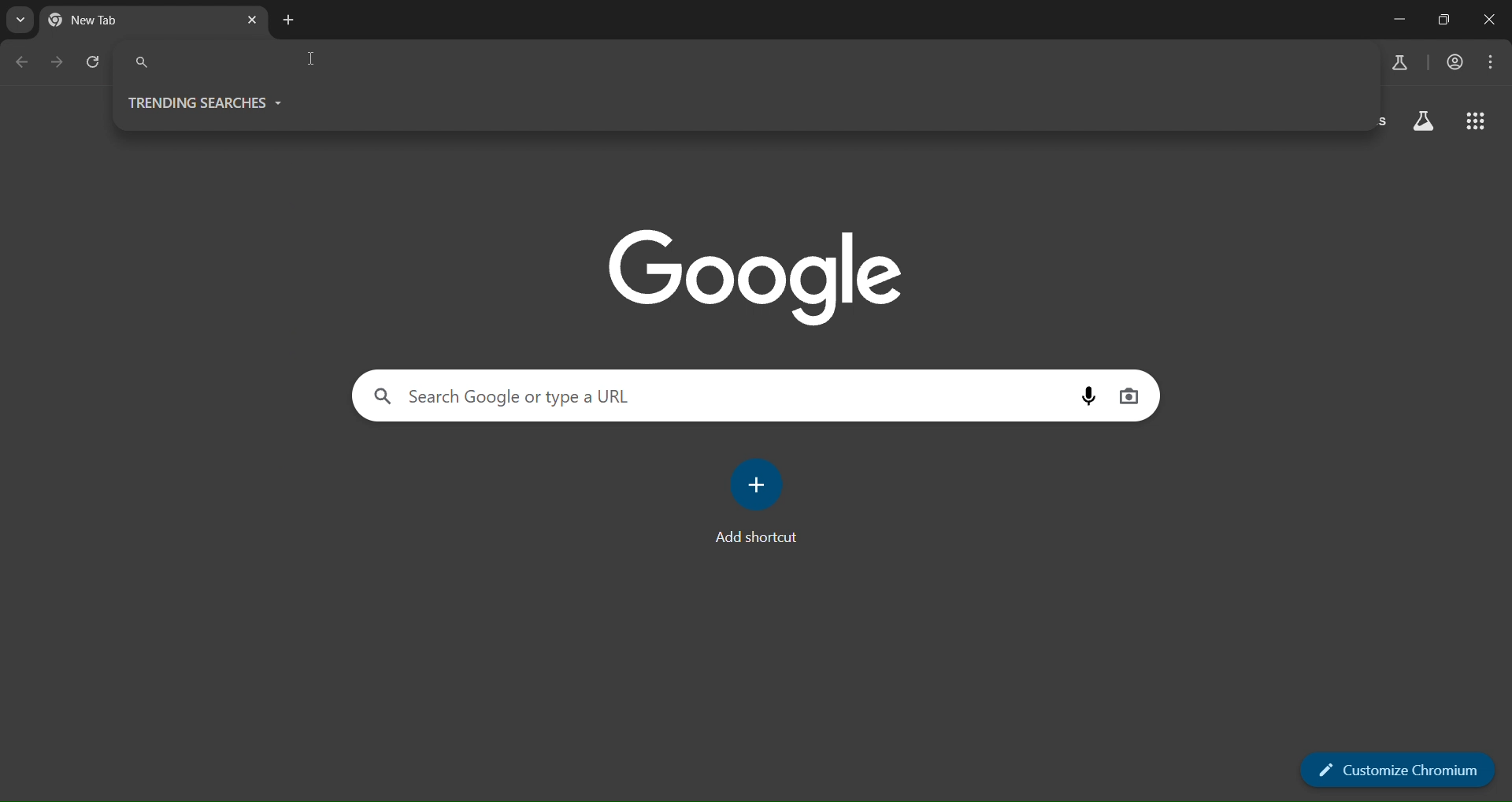 This screenshot has height=802, width=1512. Describe the element at coordinates (1452, 61) in the screenshot. I see `account` at that location.